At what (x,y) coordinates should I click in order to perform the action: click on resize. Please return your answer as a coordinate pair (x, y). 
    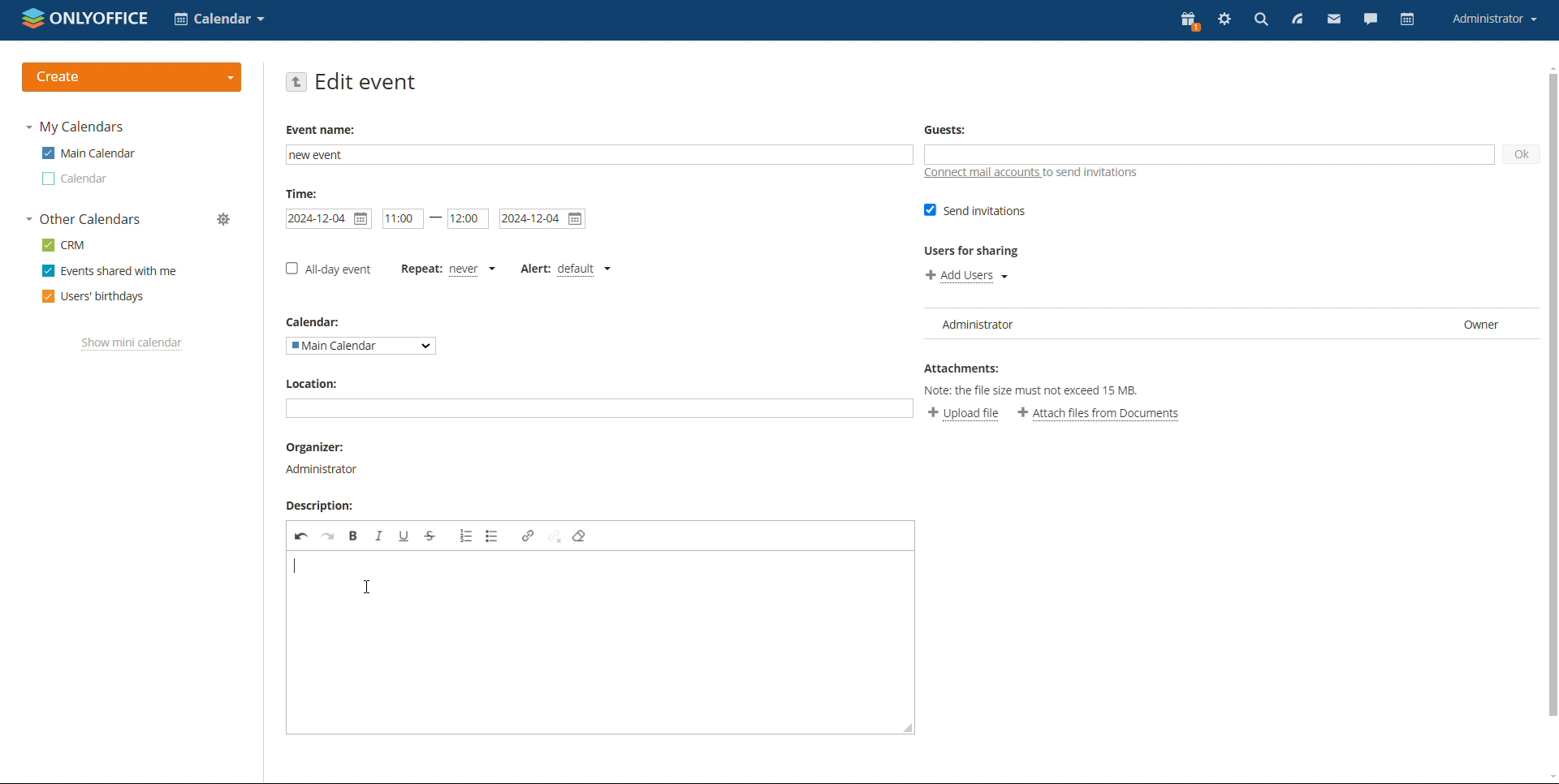
    Looking at the image, I should click on (906, 727).